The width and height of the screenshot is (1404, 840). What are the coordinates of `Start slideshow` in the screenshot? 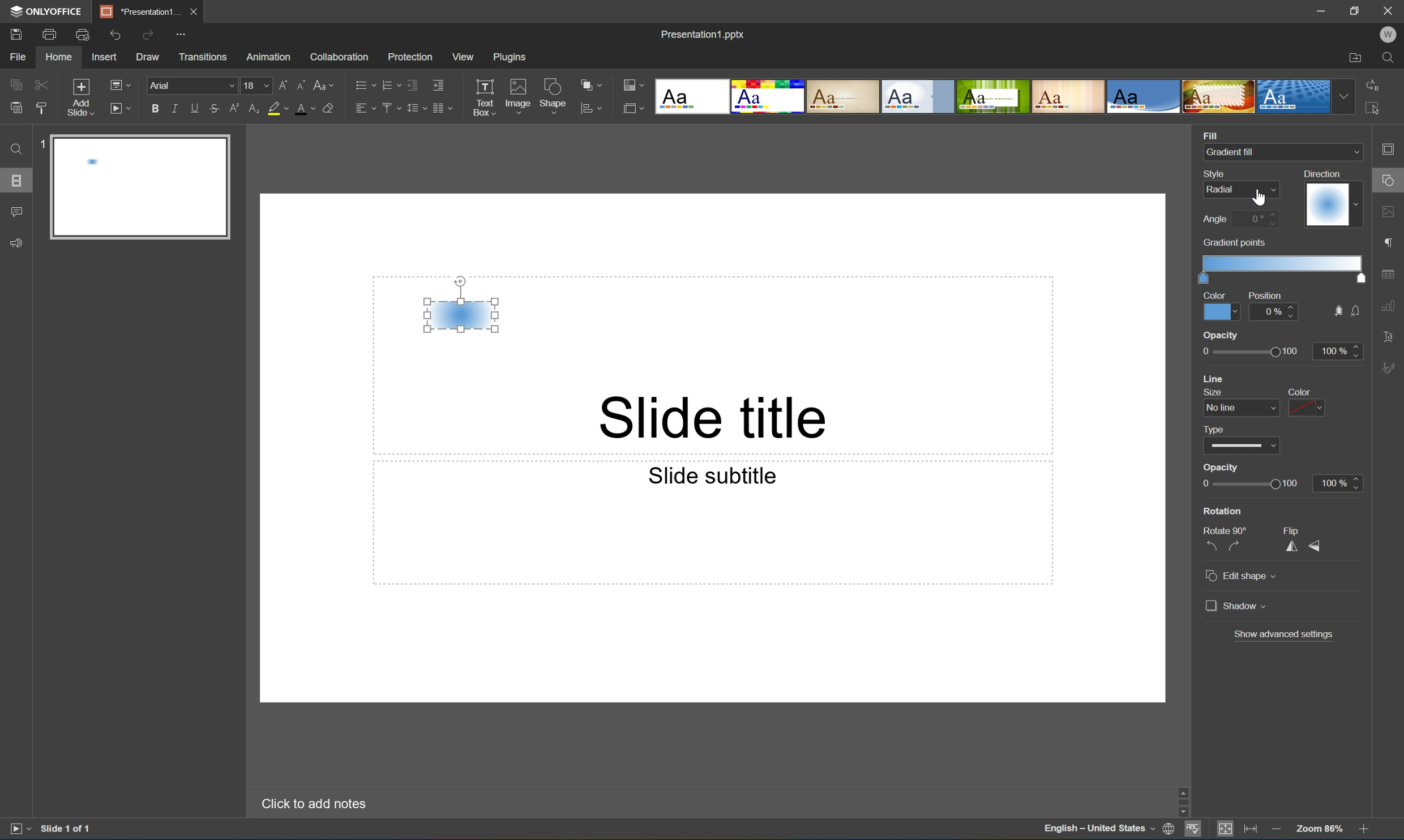 It's located at (119, 107).